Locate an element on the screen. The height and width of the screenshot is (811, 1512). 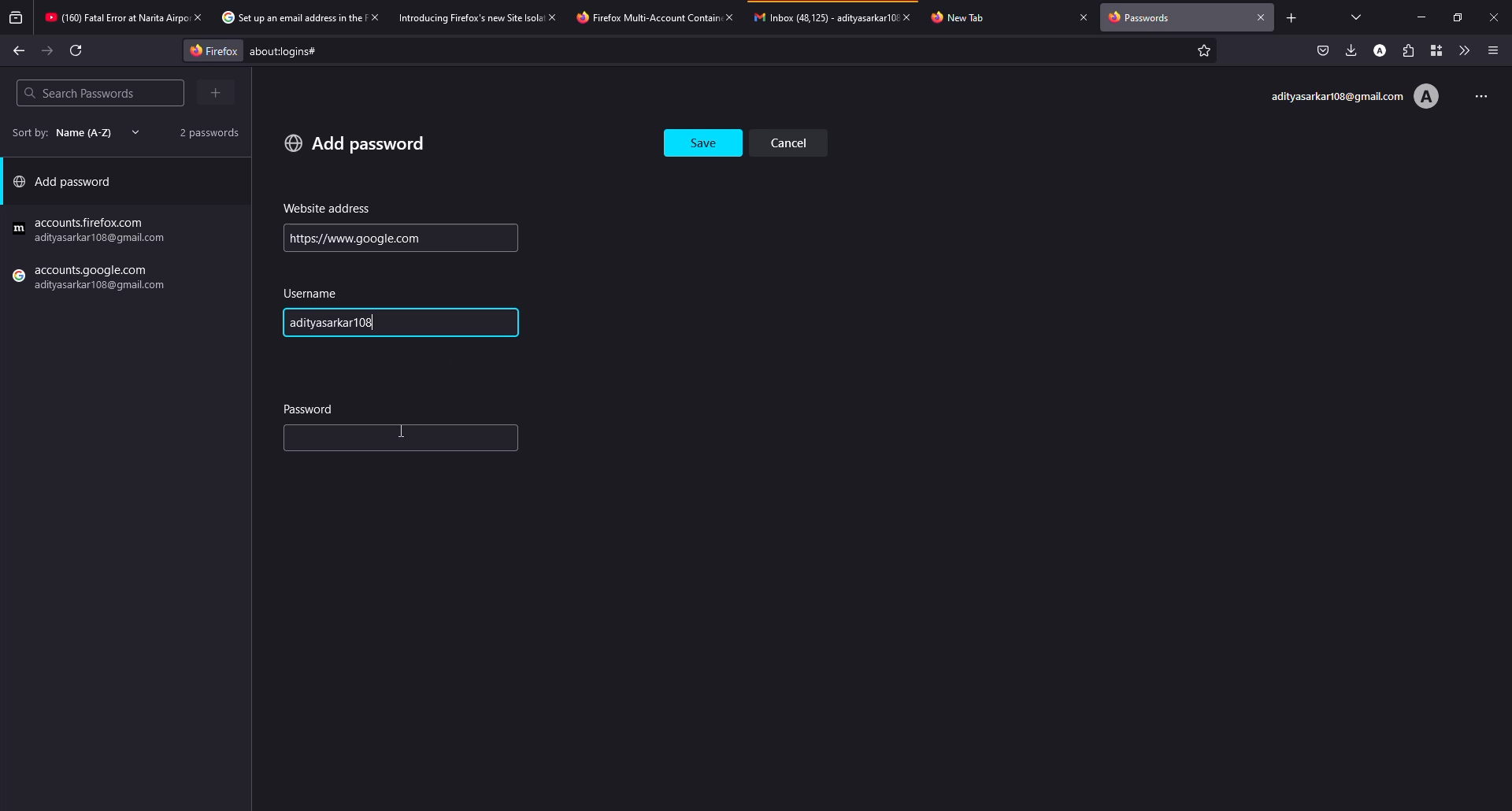
add password is located at coordinates (68, 185).